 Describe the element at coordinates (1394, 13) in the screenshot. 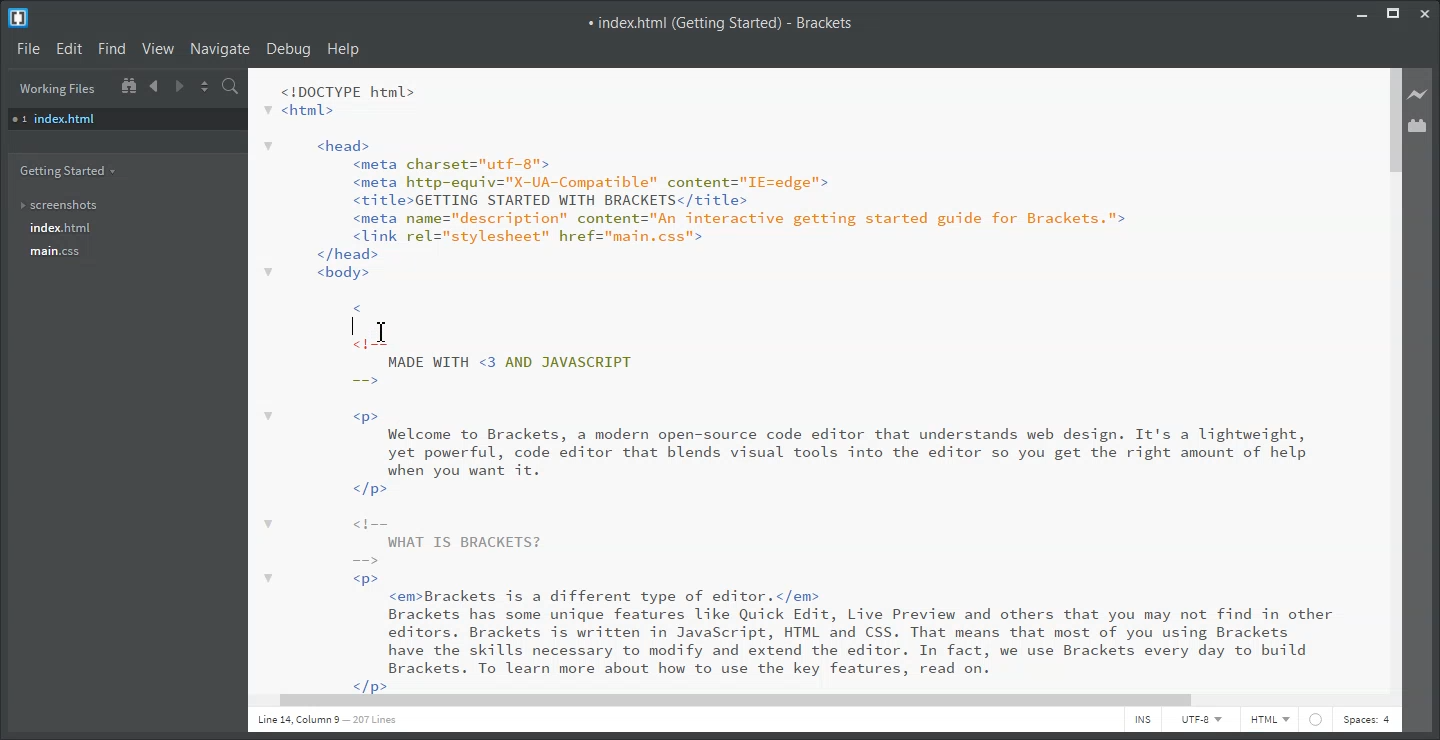

I see `Maximize` at that location.